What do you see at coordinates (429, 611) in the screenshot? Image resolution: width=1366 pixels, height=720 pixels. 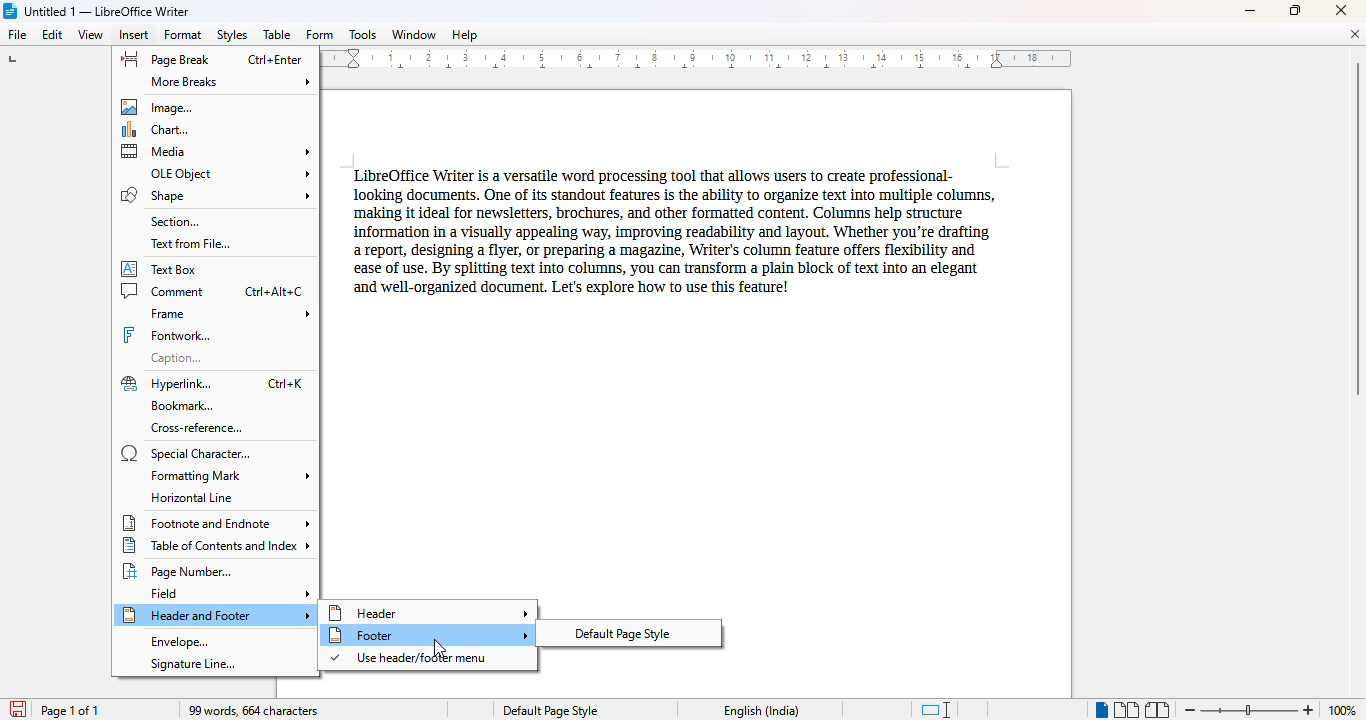 I see `header` at bounding box center [429, 611].